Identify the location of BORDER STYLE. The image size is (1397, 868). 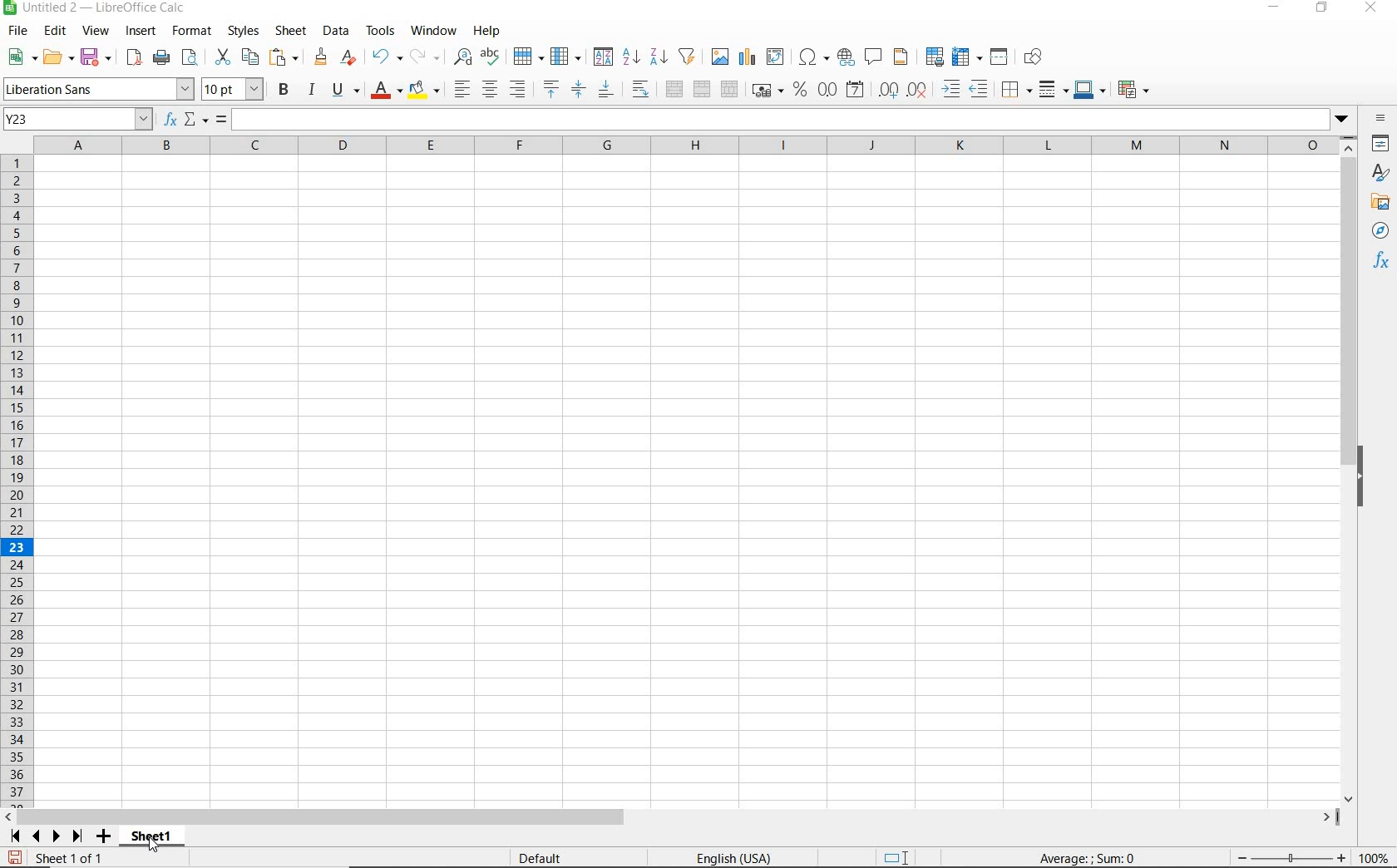
(1051, 89).